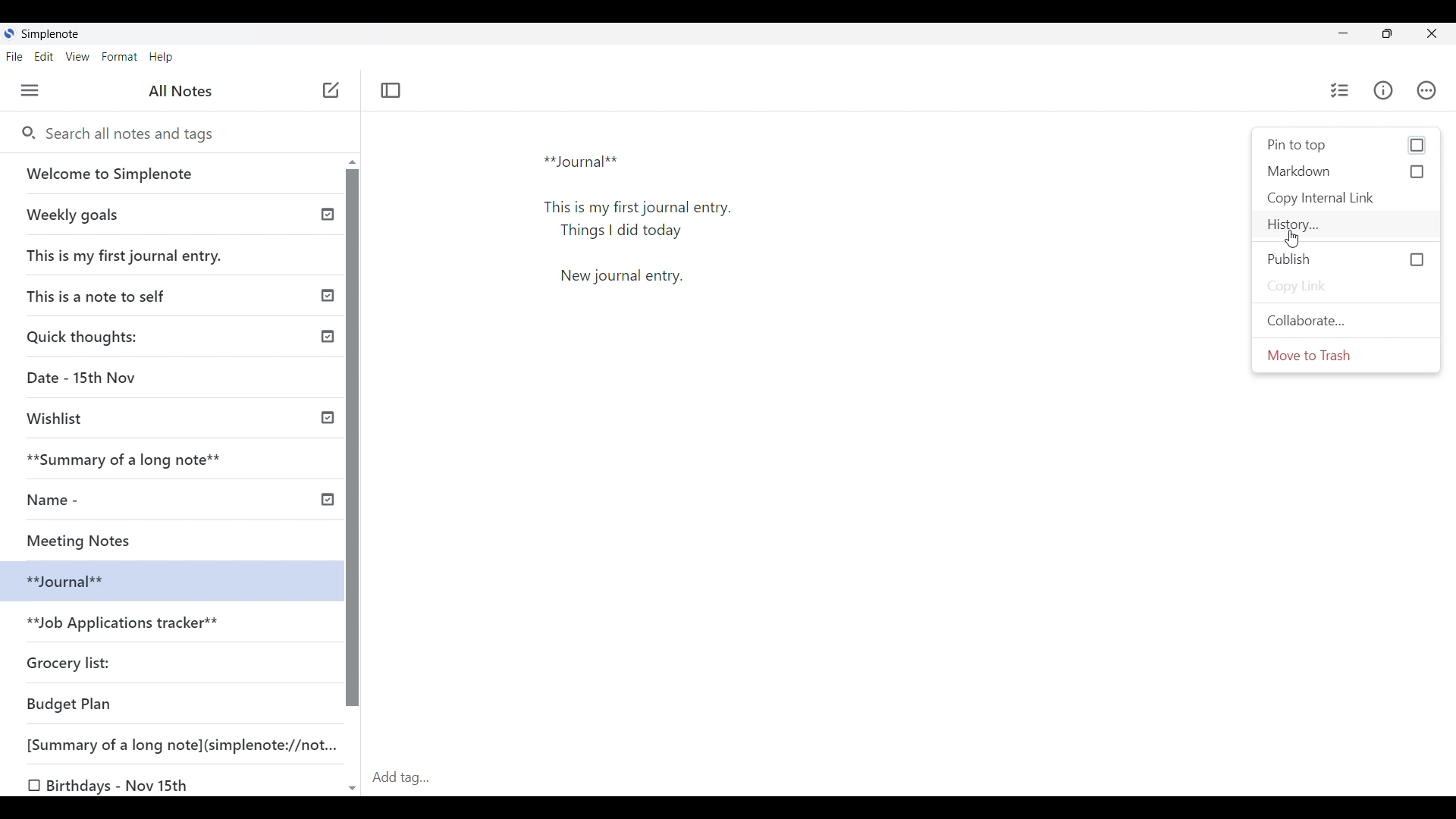  What do you see at coordinates (84, 378) in the screenshot?
I see `Date - 15th Nov` at bounding box center [84, 378].